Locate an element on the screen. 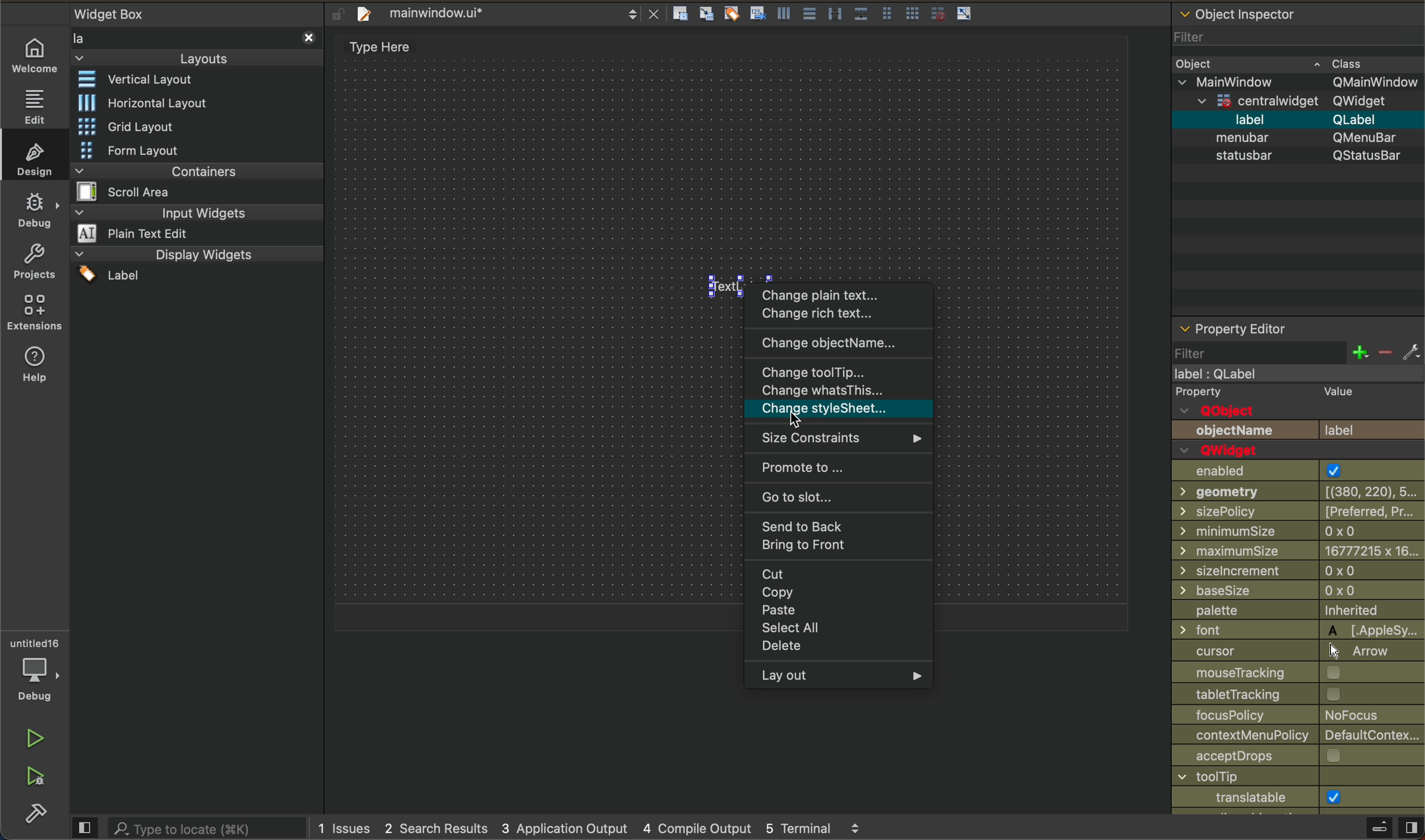  change rich text is located at coordinates (842, 319).